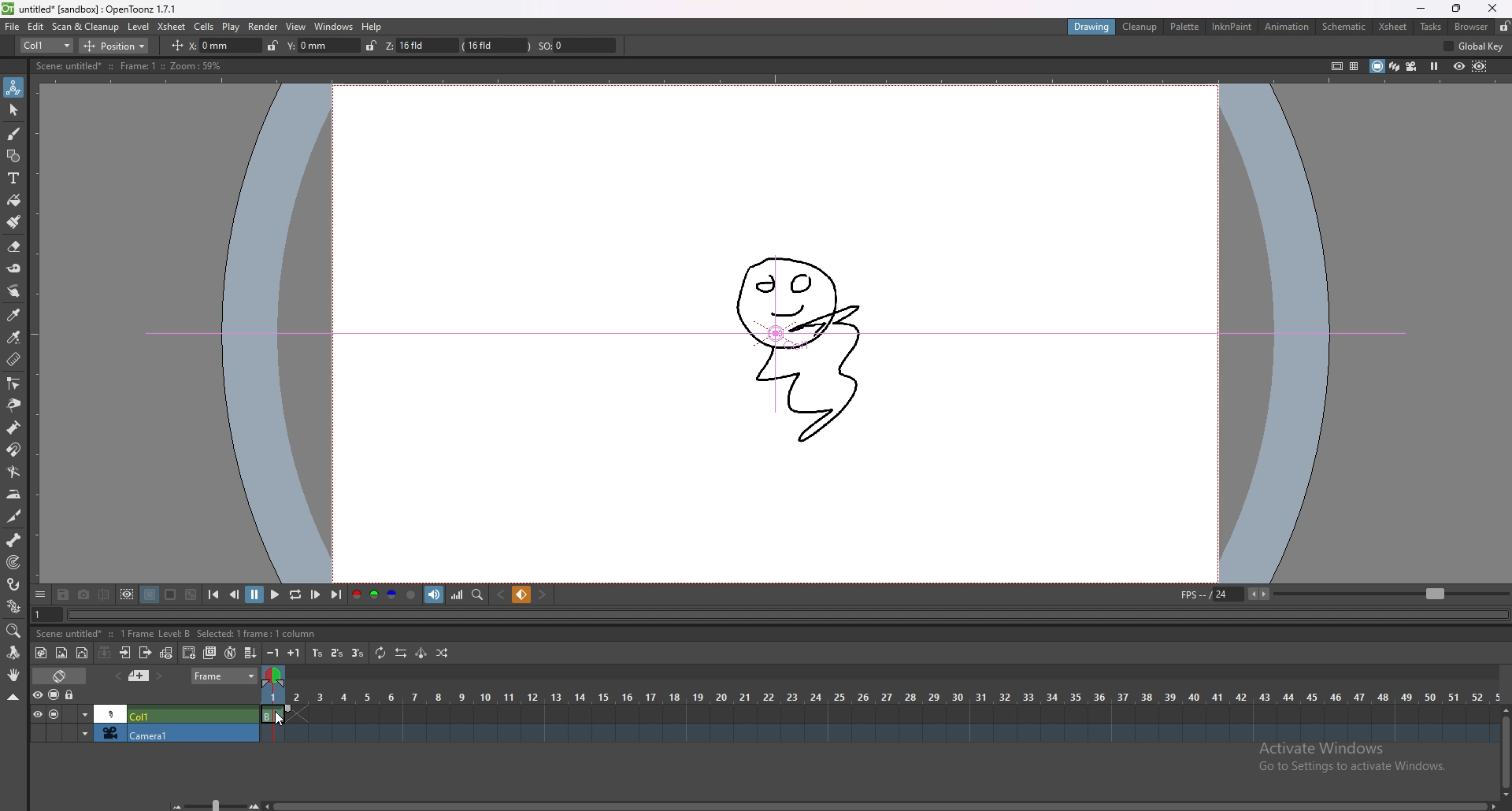 The height and width of the screenshot is (811, 1512). Describe the element at coordinates (876, 738) in the screenshot. I see `camera 1 timeline` at that location.